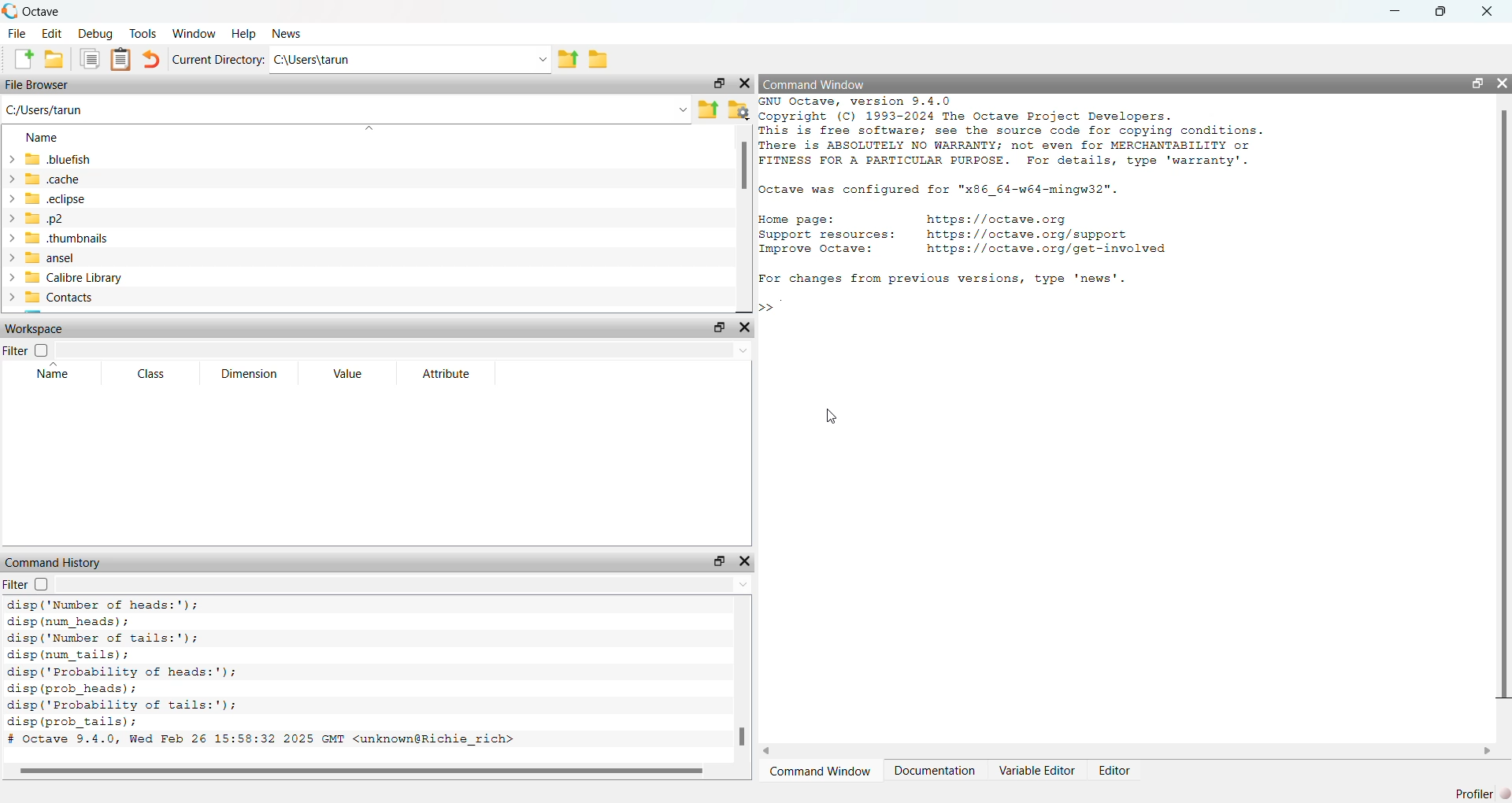  Describe the element at coordinates (251, 372) in the screenshot. I see `Dimension` at that location.